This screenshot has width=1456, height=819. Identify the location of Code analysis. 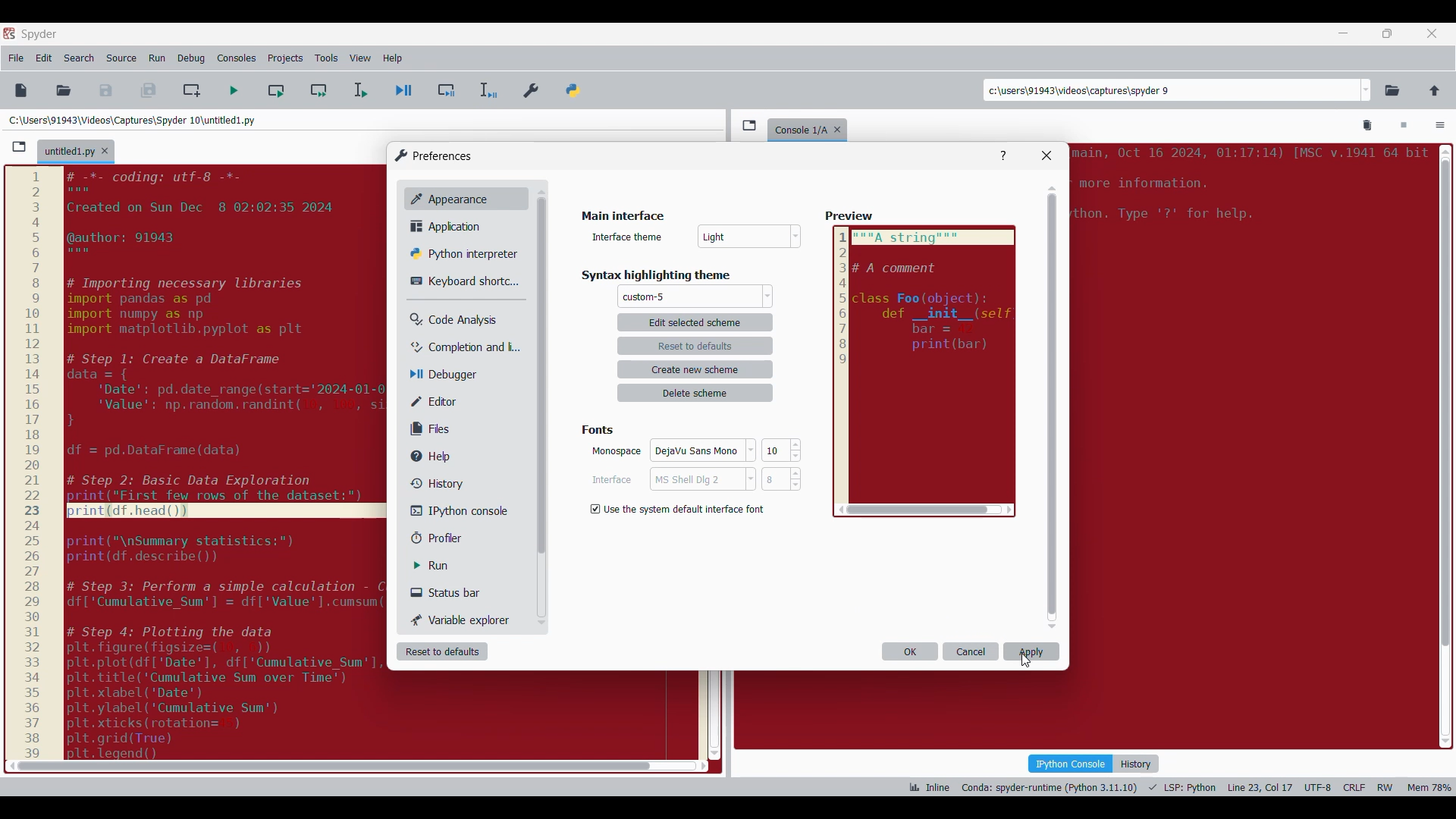
(453, 320).